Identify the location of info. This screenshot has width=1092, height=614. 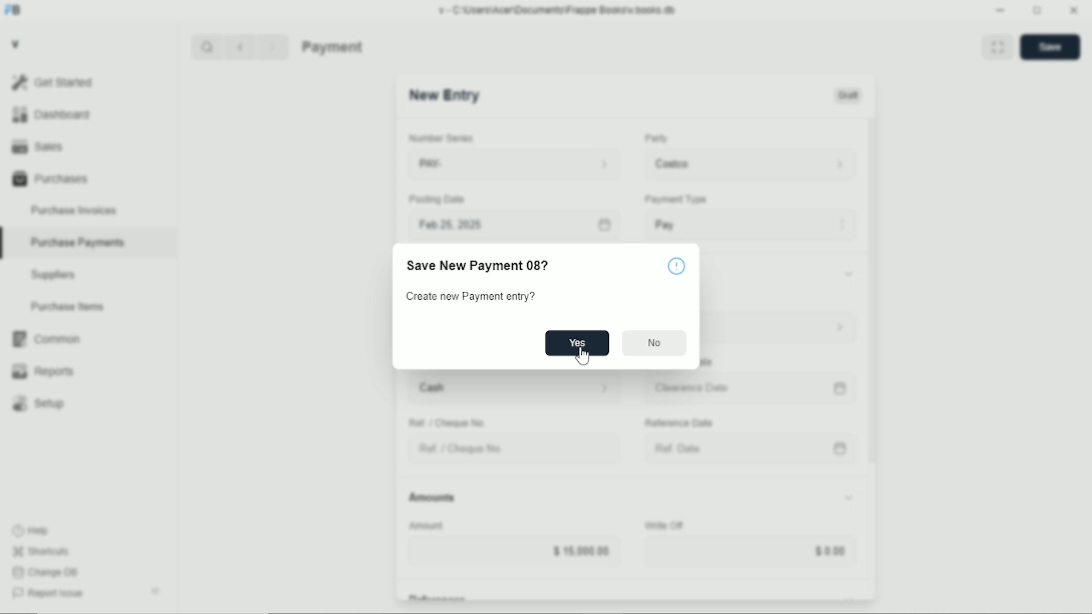
(678, 266).